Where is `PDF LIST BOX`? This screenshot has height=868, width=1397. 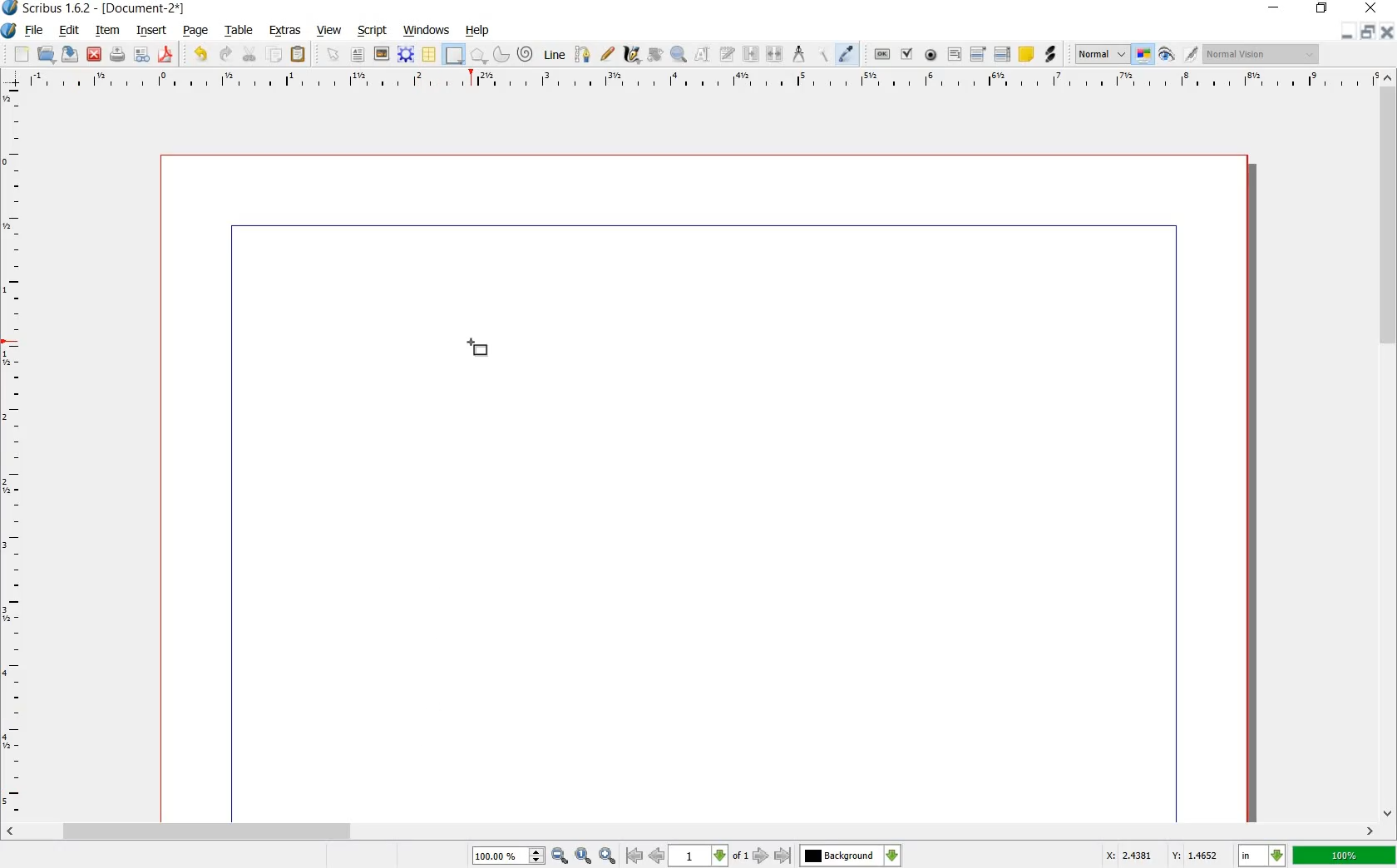
PDF LIST BOX is located at coordinates (1001, 54).